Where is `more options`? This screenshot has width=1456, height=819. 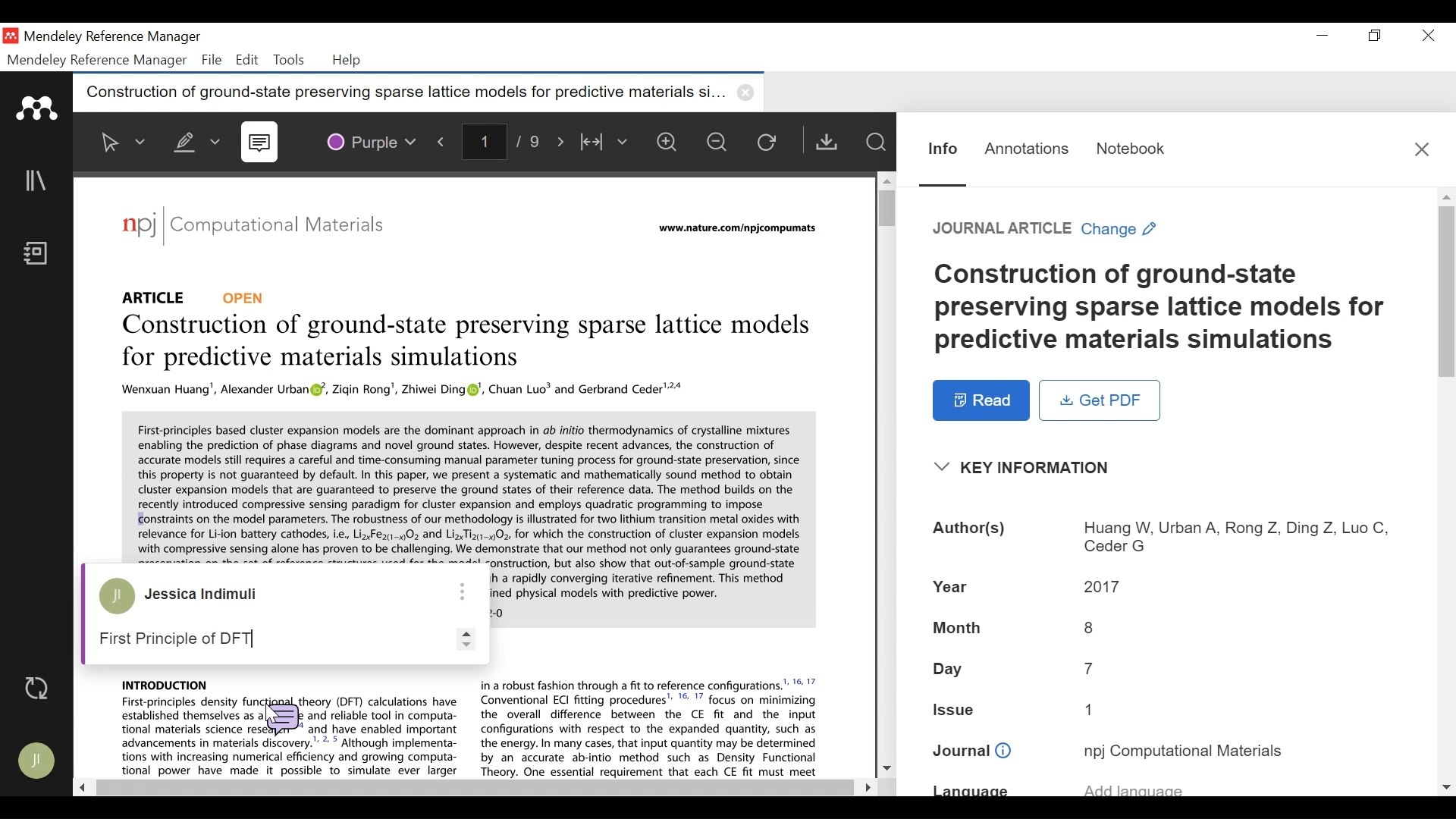
more options is located at coordinates (462, 590).